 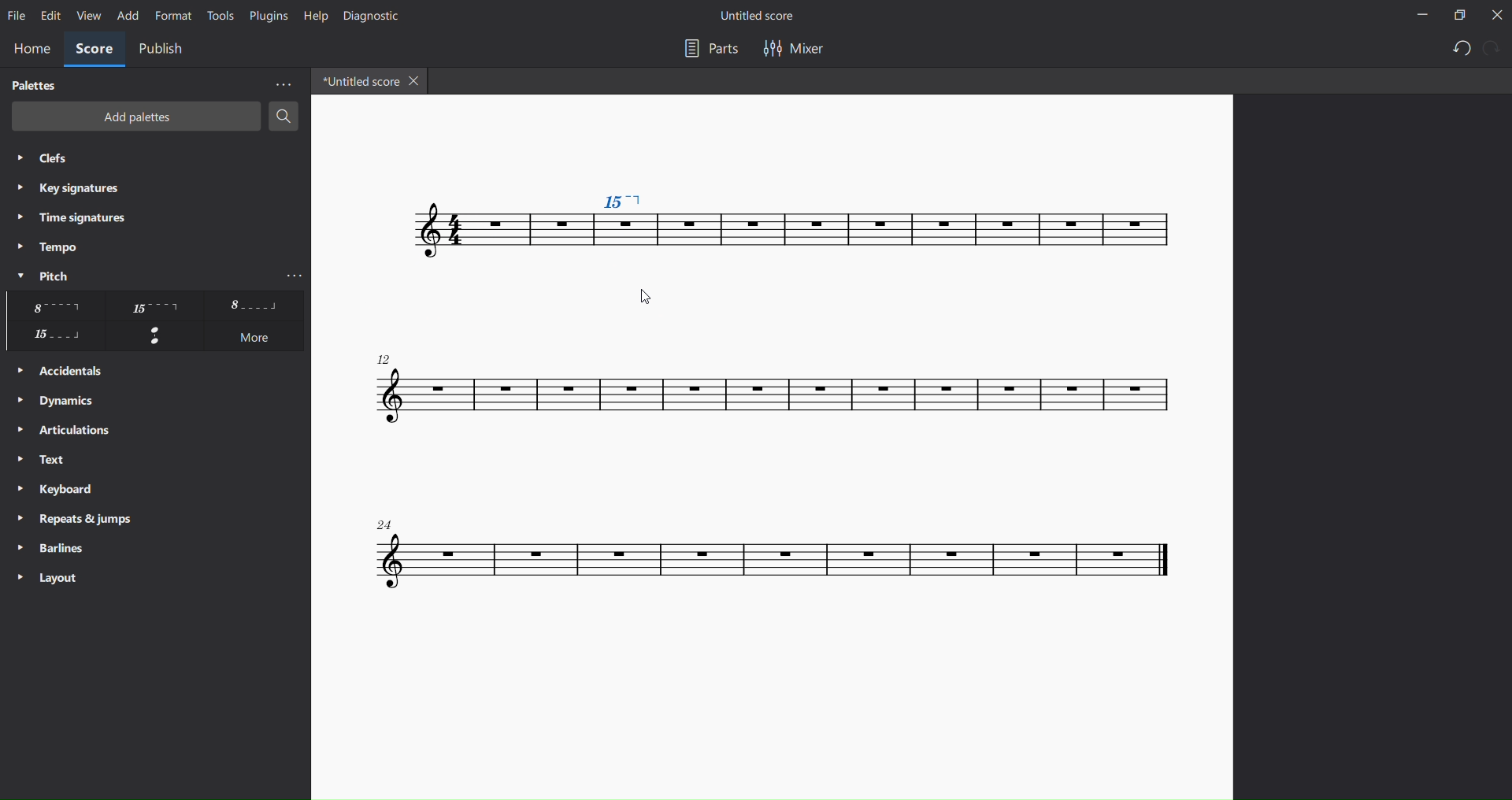 What do you see at coordinates (377, 17) in the screenshot?
I see `dignostic` at bounding box center [377, 17].